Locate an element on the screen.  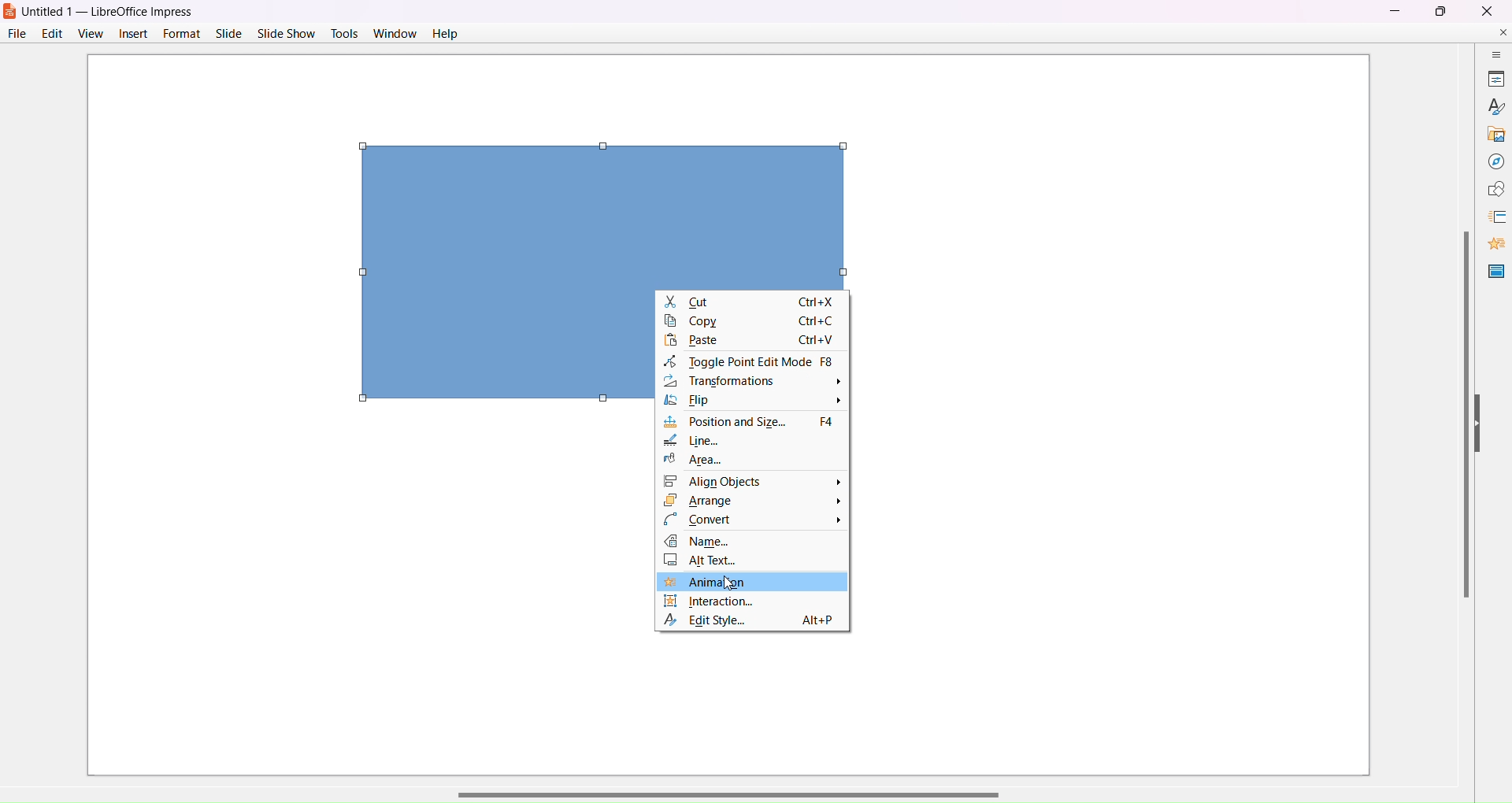
Slide Show is located at coordinates (287, 31).